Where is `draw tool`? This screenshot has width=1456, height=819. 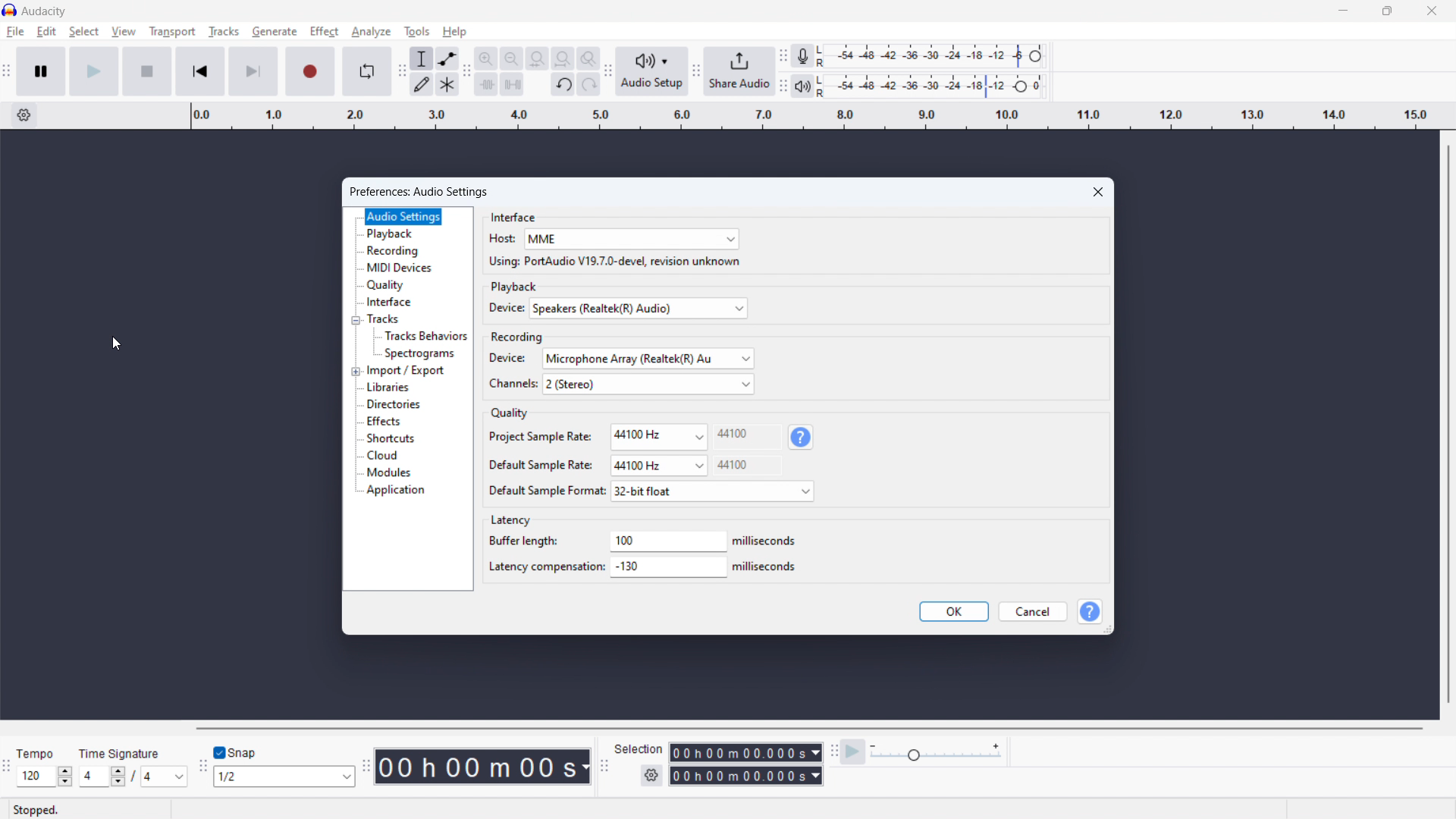
draw tool is located at coordinates (422, 84).